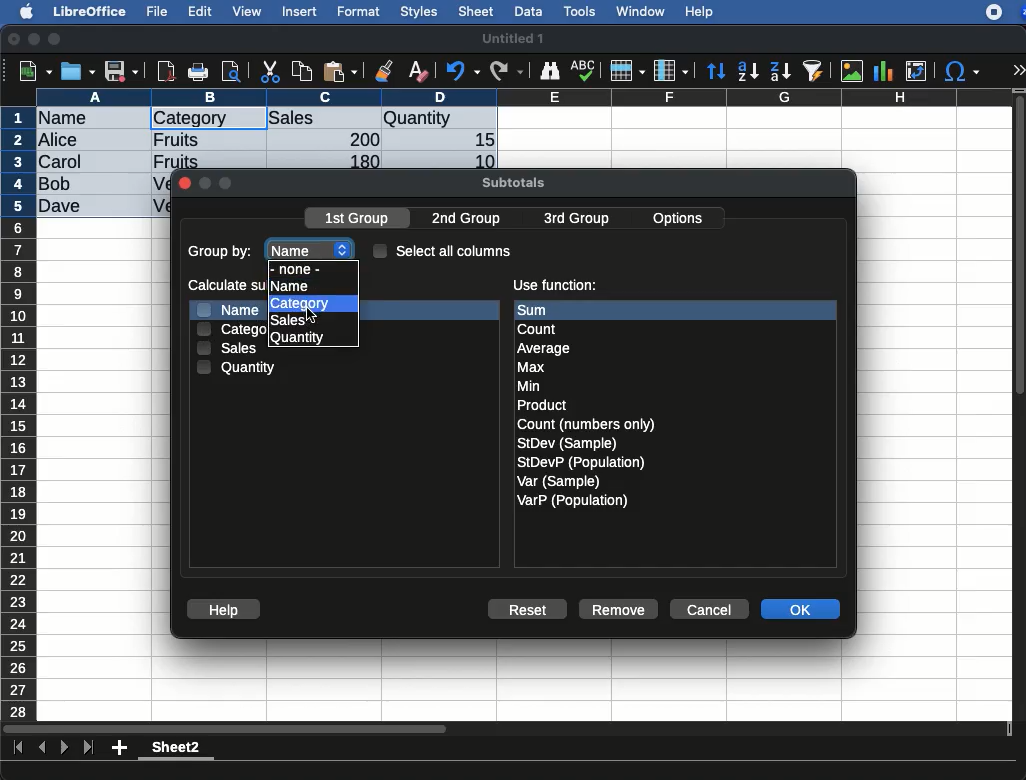 The width and height of the screenshot is (1026, 780). What do you see at coordinates (357, 162) in the screenshot?
I see `180` at bounding box center [357, 162].